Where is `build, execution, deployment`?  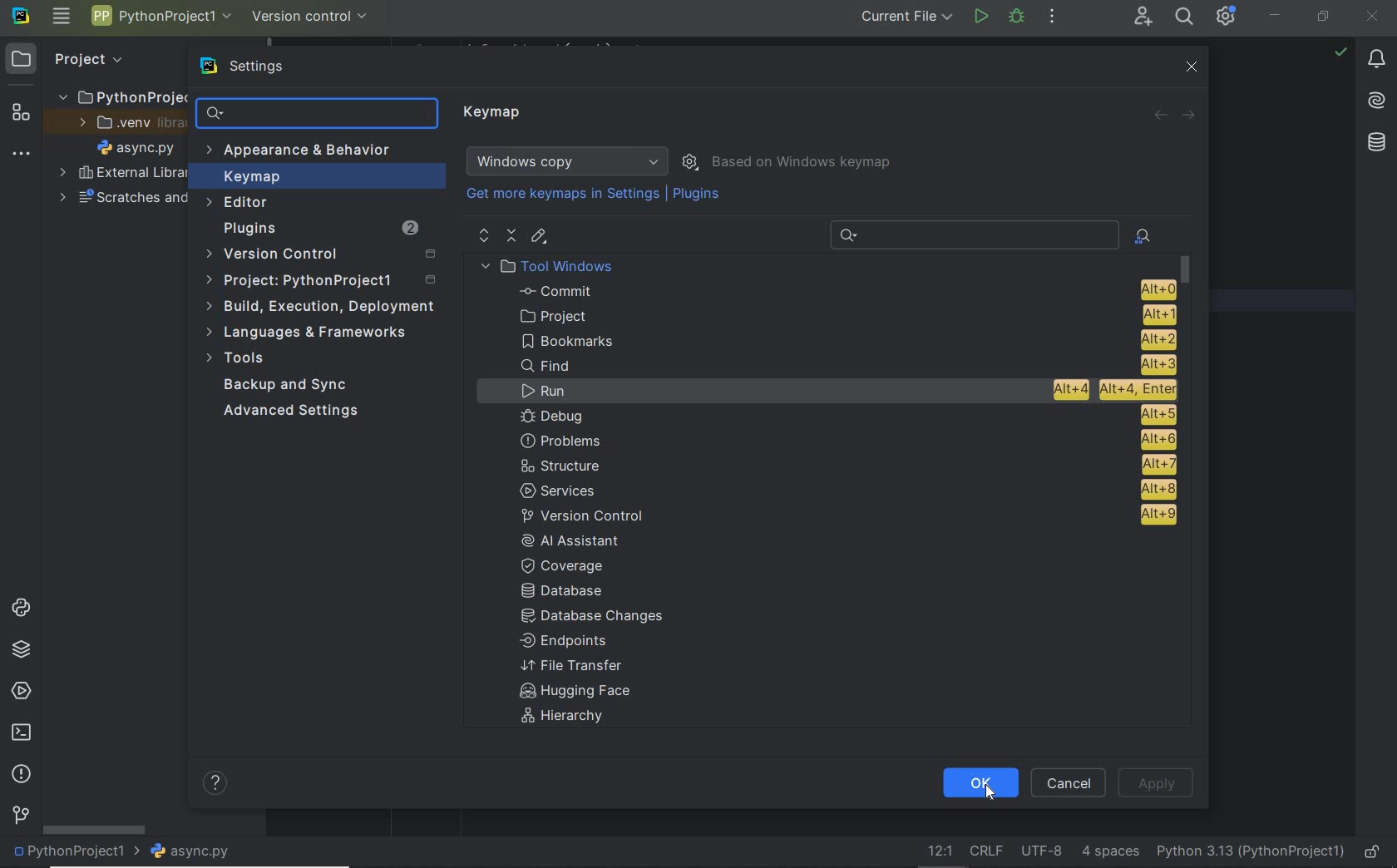
build, execution, deployment is located at coordinates (319, 307).